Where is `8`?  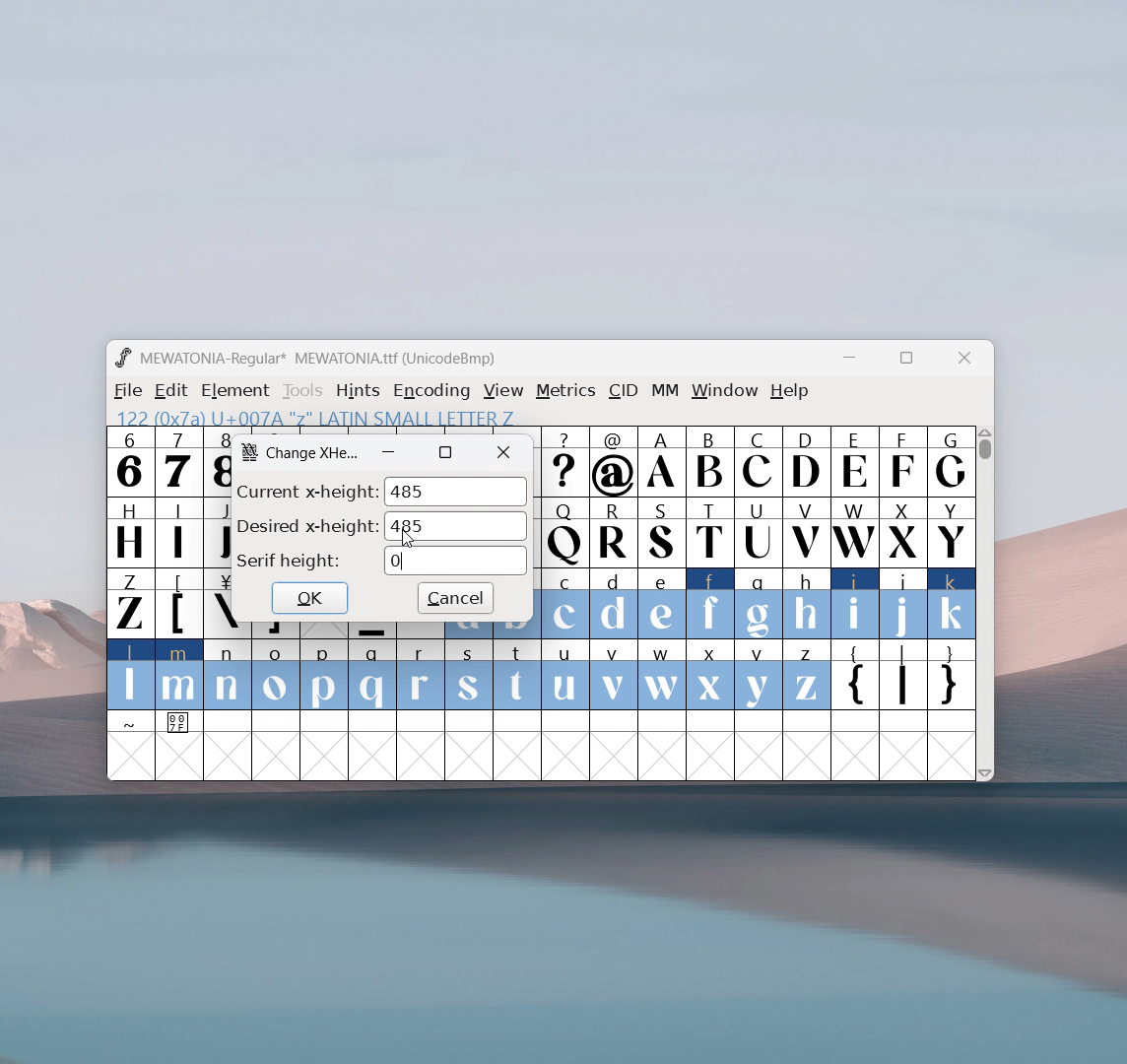 8 is located at coordinates (217, 461).